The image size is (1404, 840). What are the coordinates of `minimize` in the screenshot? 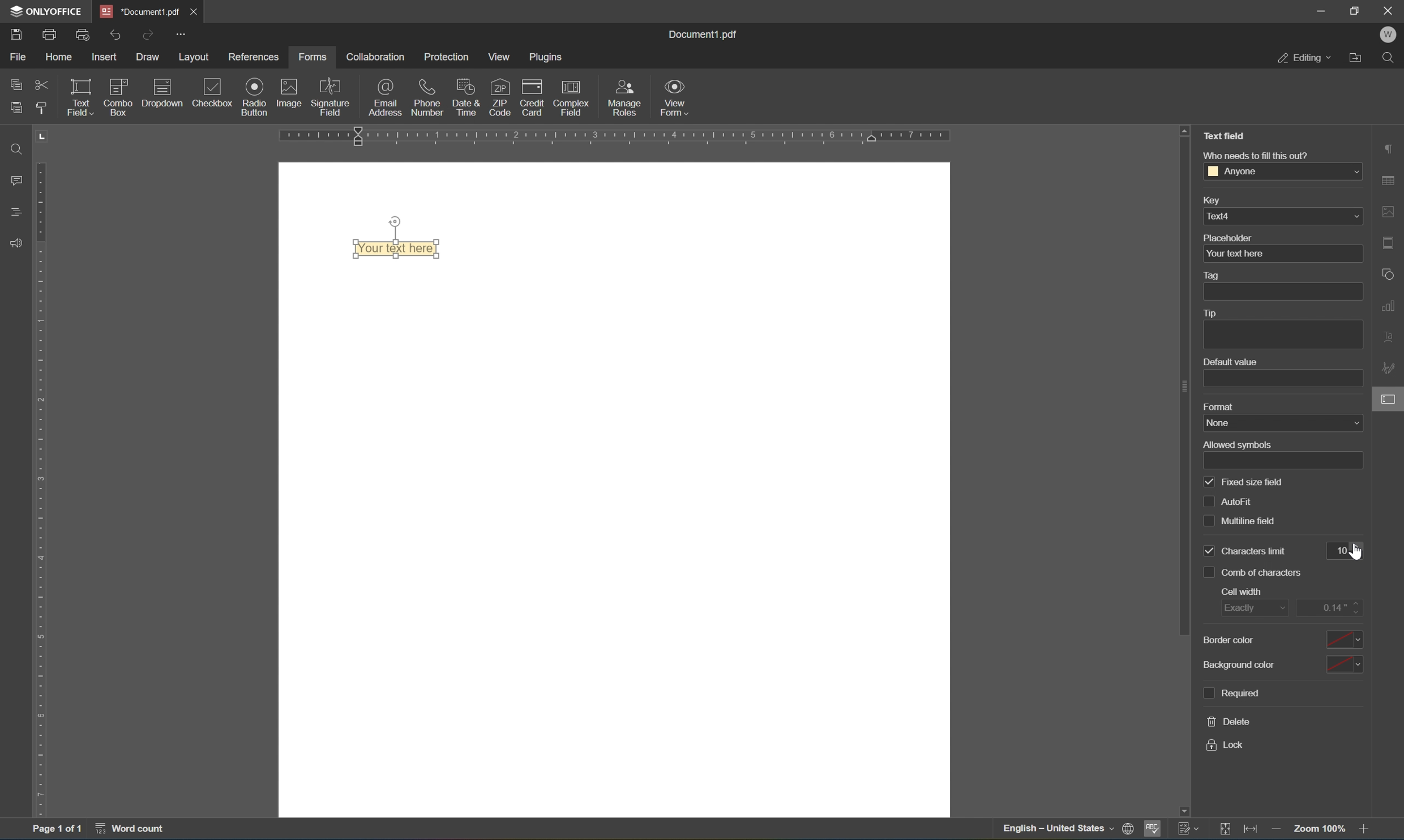 It's located at (1315, 10).